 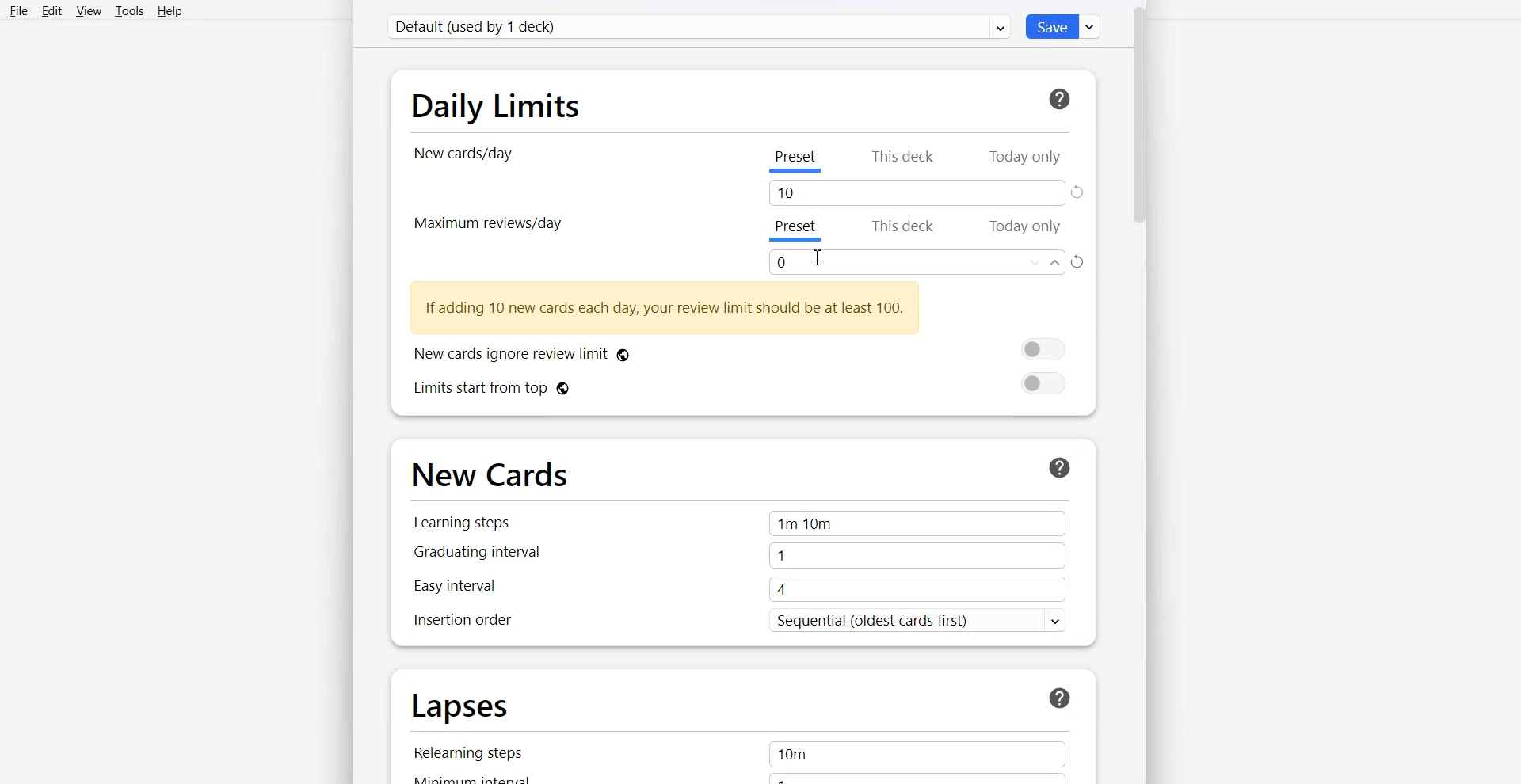 What do you see at coordinates (50, 11) in the screenshot?
I see `Edit` at bounding box center [50, 11].